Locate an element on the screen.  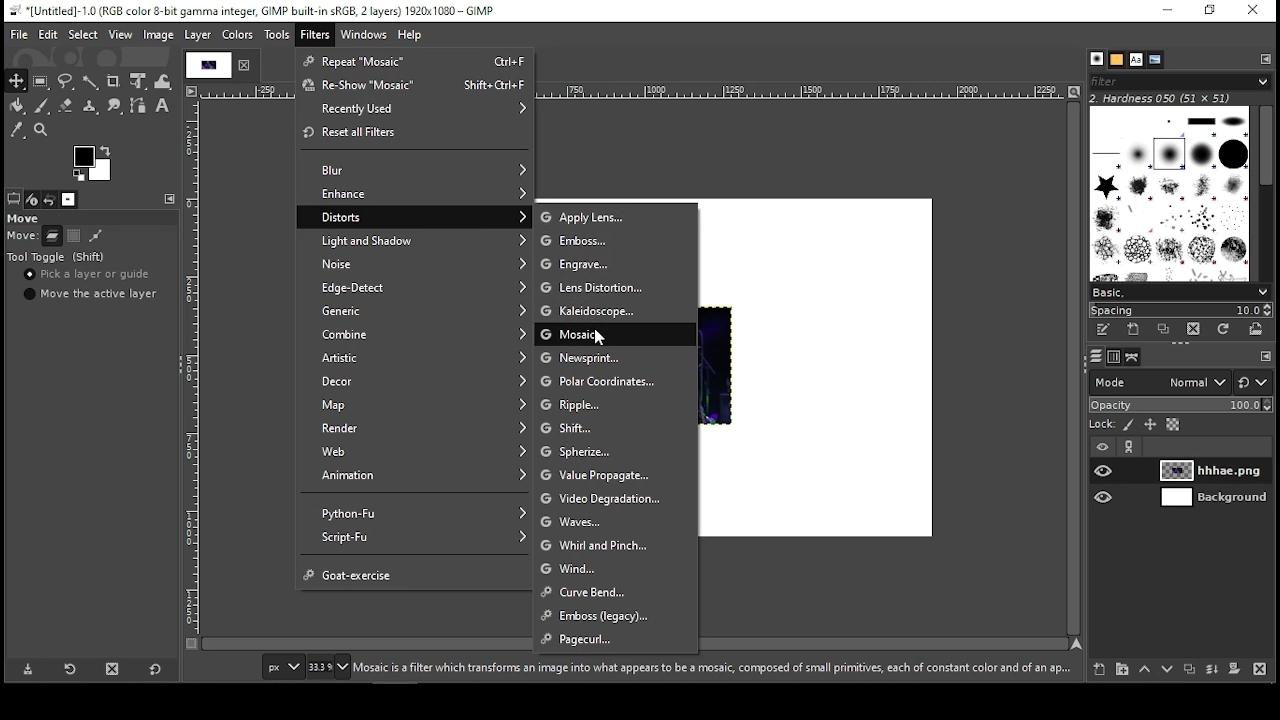
recently used is located at coordinates (412, 109).